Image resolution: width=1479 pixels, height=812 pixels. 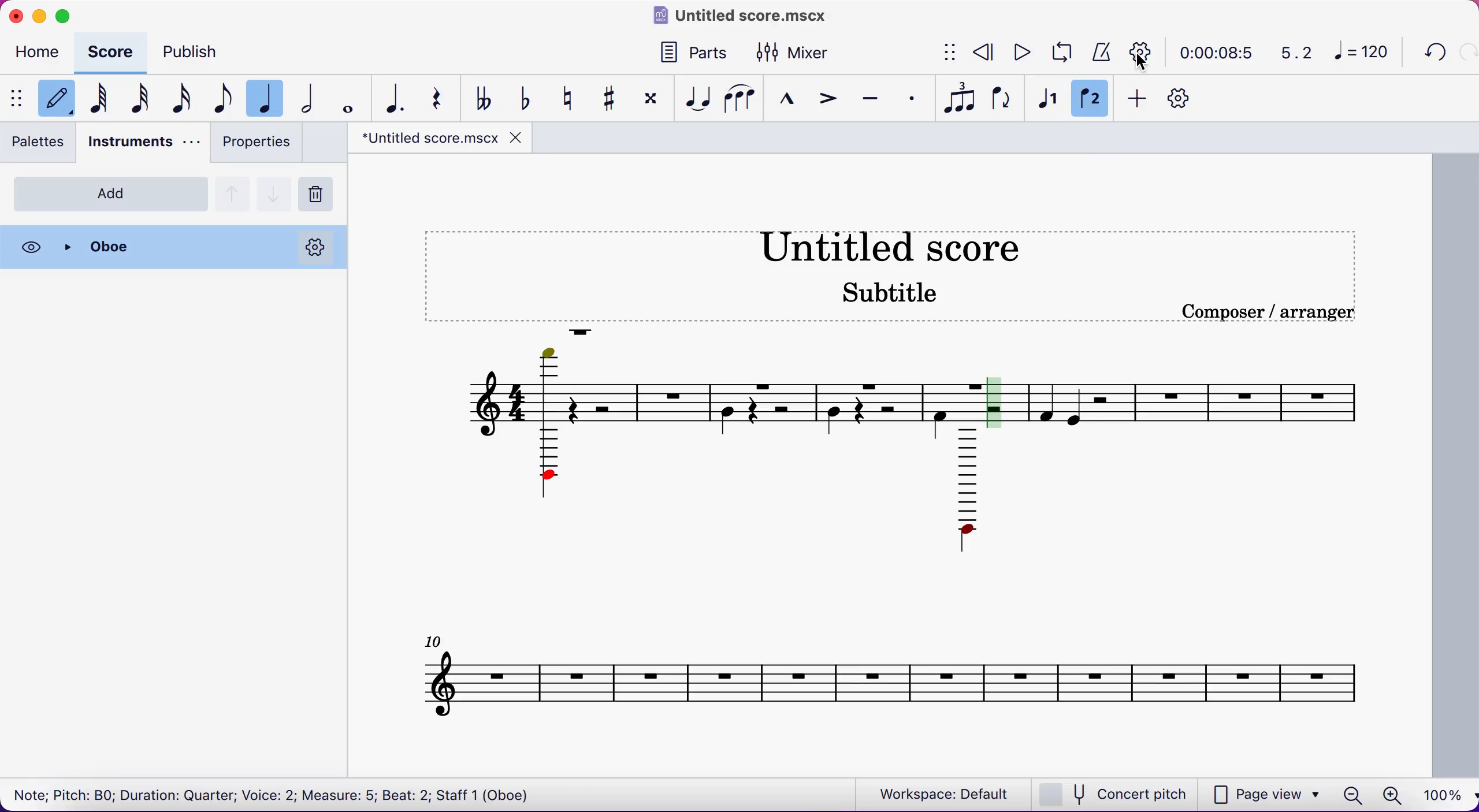 I want to click on home, so click(x=40, y=54).